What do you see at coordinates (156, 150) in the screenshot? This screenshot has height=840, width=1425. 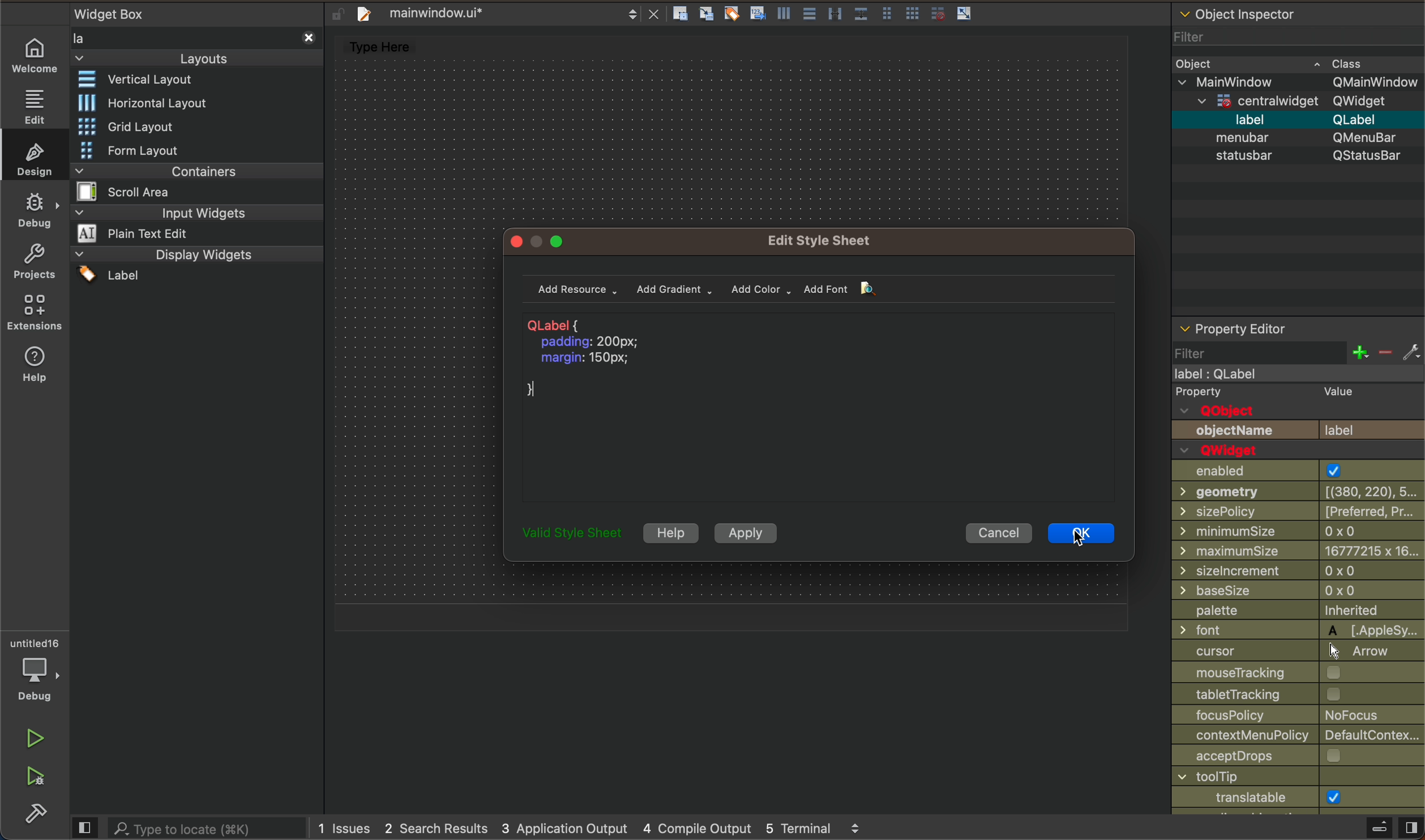 I see `form layout` at bounding box center [156, 150].